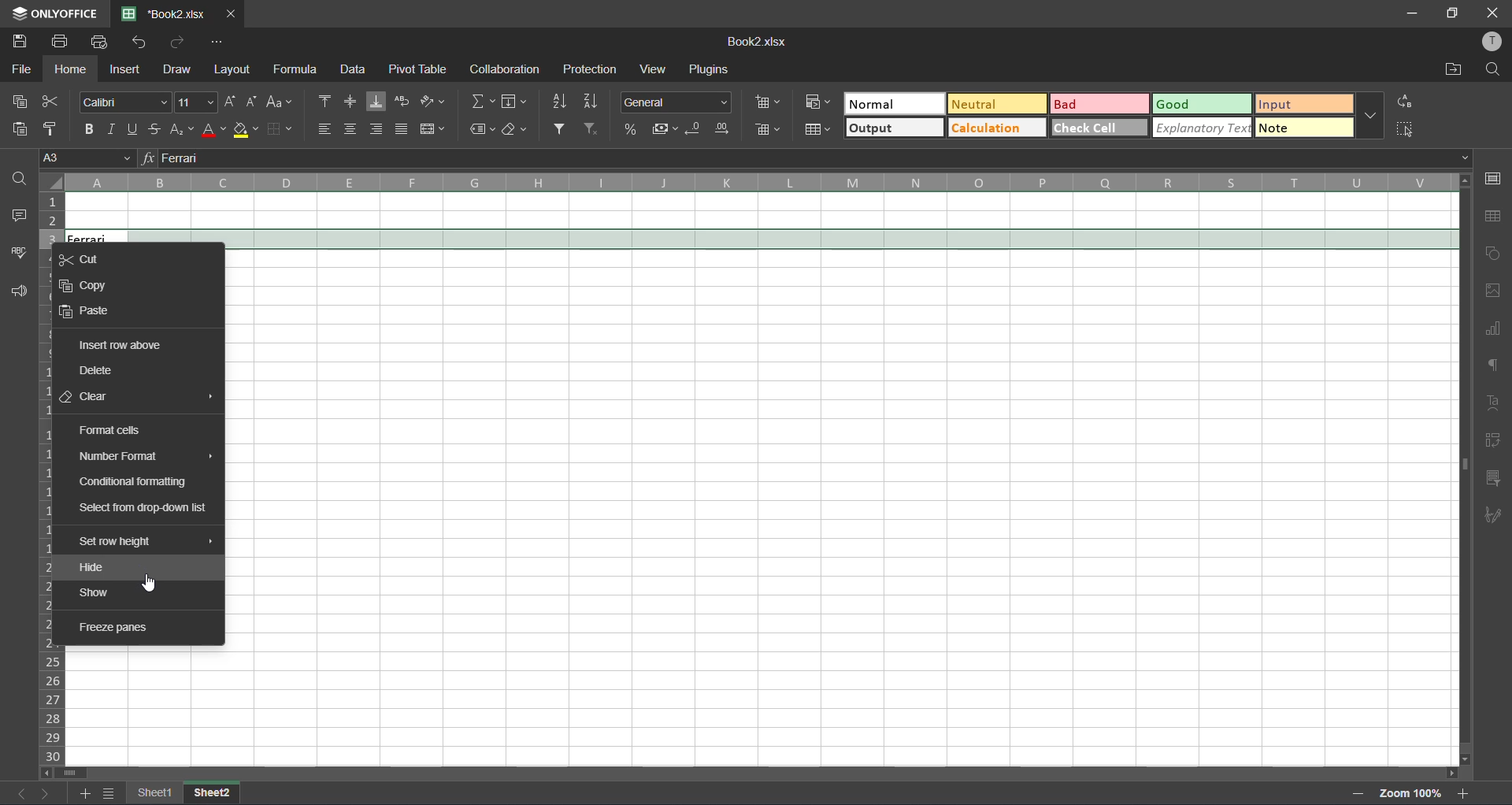  What do you see at coordinates (1098, 103) in the screenshot?
I see `bad` at bounding box center [1098, 103].